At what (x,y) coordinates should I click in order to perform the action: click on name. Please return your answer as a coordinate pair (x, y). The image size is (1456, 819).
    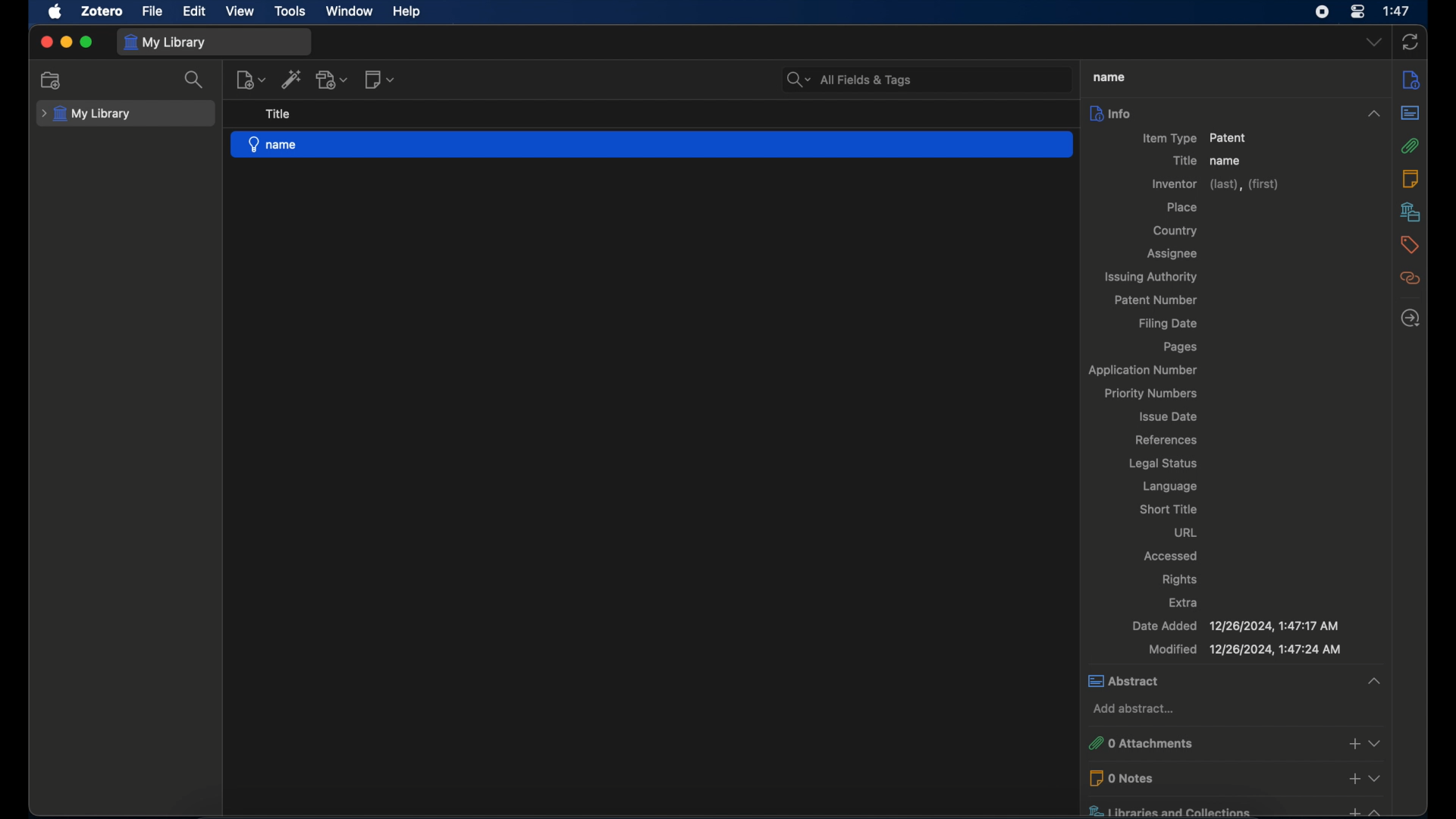
    Looking at the image, I should click on (654, 145).